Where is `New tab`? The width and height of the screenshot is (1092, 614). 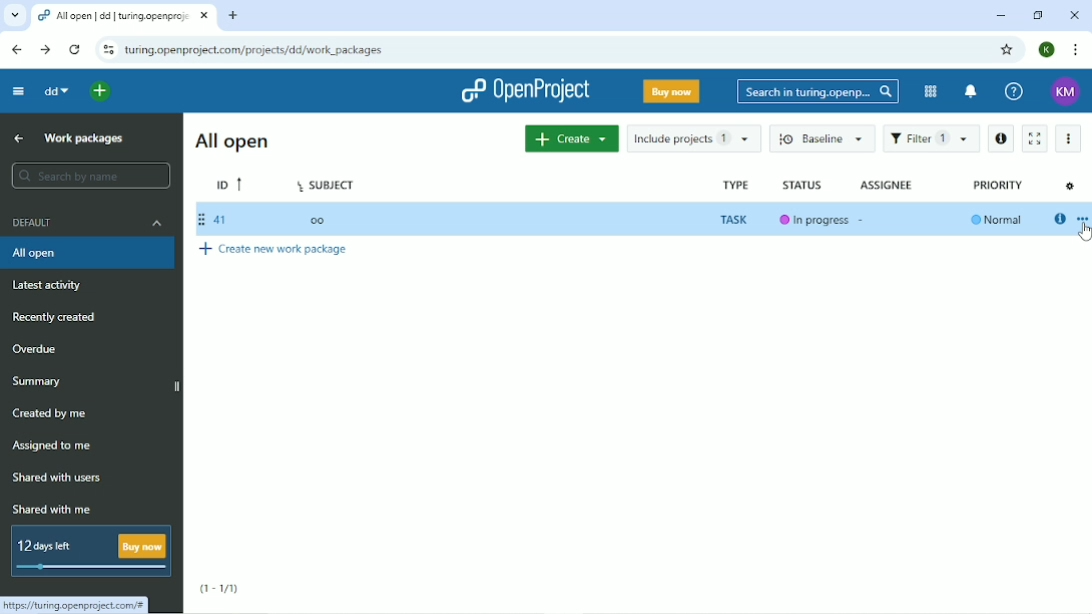
New tab is located at coordinates (233, 15).